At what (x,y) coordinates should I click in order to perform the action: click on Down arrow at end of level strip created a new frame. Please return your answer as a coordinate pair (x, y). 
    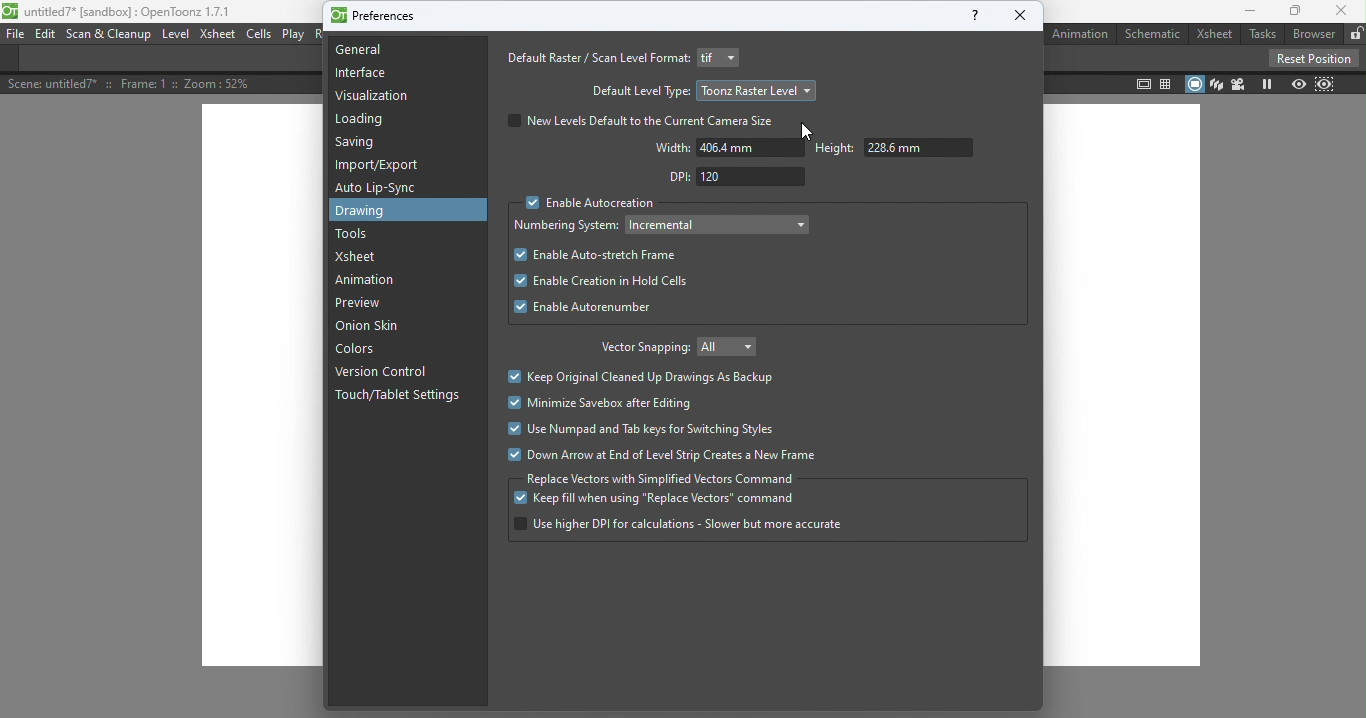
    Looking at the image, I should click on (675, 455).